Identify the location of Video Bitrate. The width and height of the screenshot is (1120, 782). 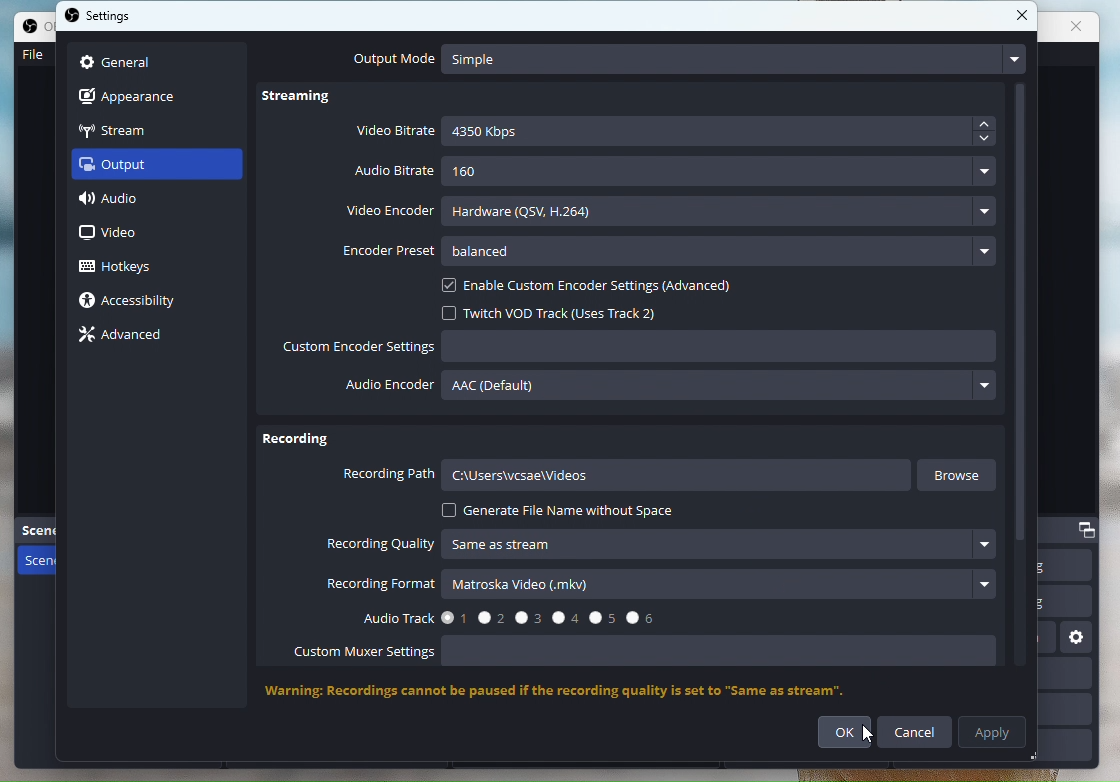
(677, 133).